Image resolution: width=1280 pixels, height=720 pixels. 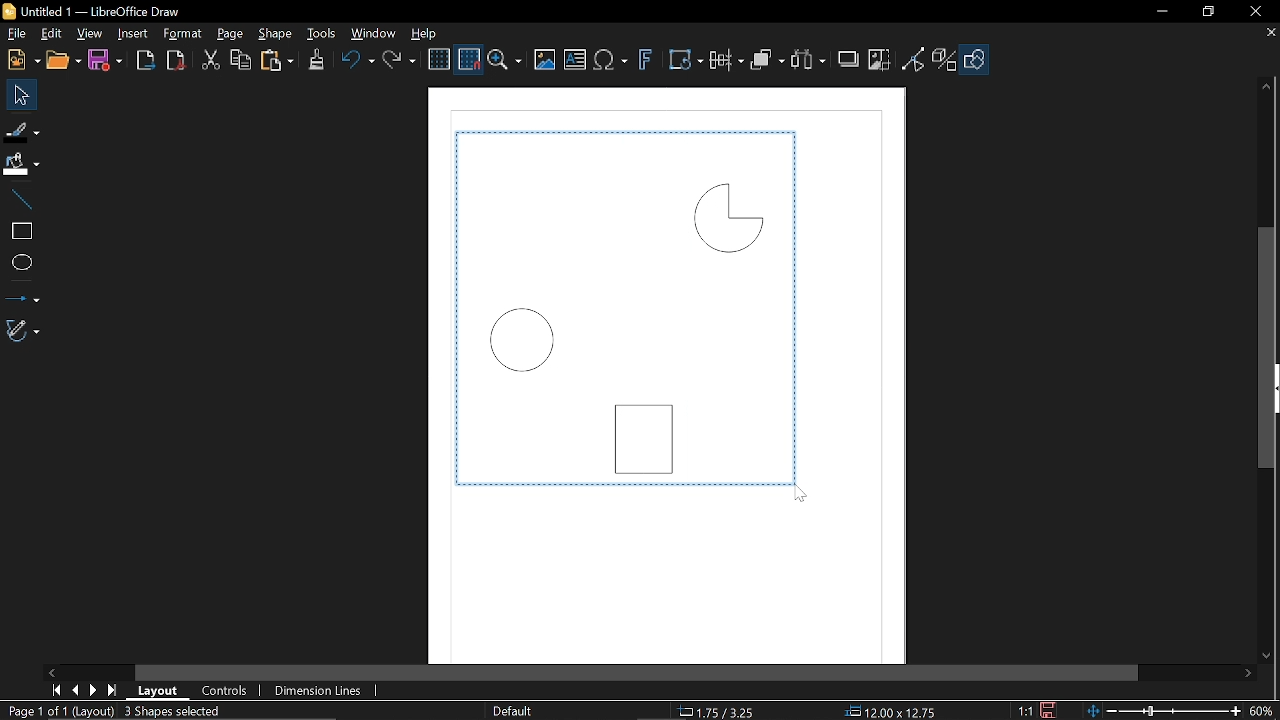 I want to click on Shape, so click(x=275, y=34).